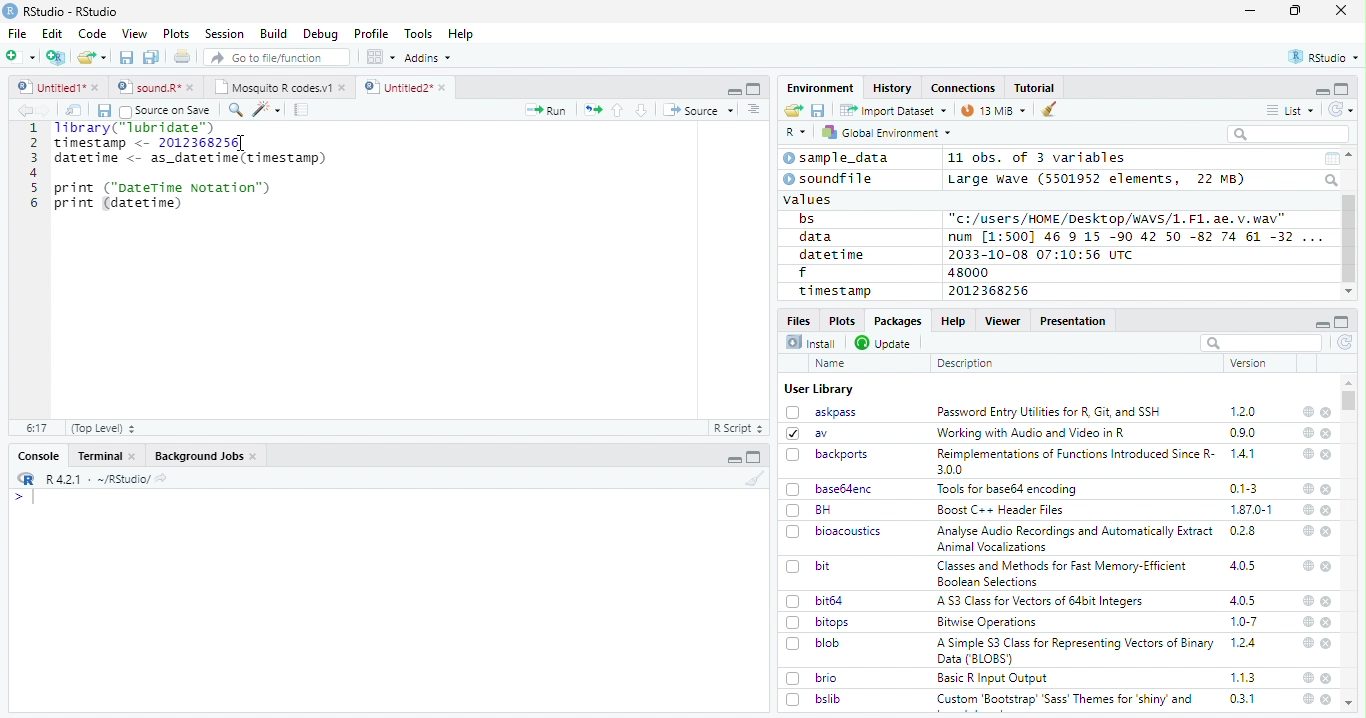 This screenshot has height=718, width=1366. Describe the element at coordinates (1328, 644) in the screenshot. I see `close` at that location.